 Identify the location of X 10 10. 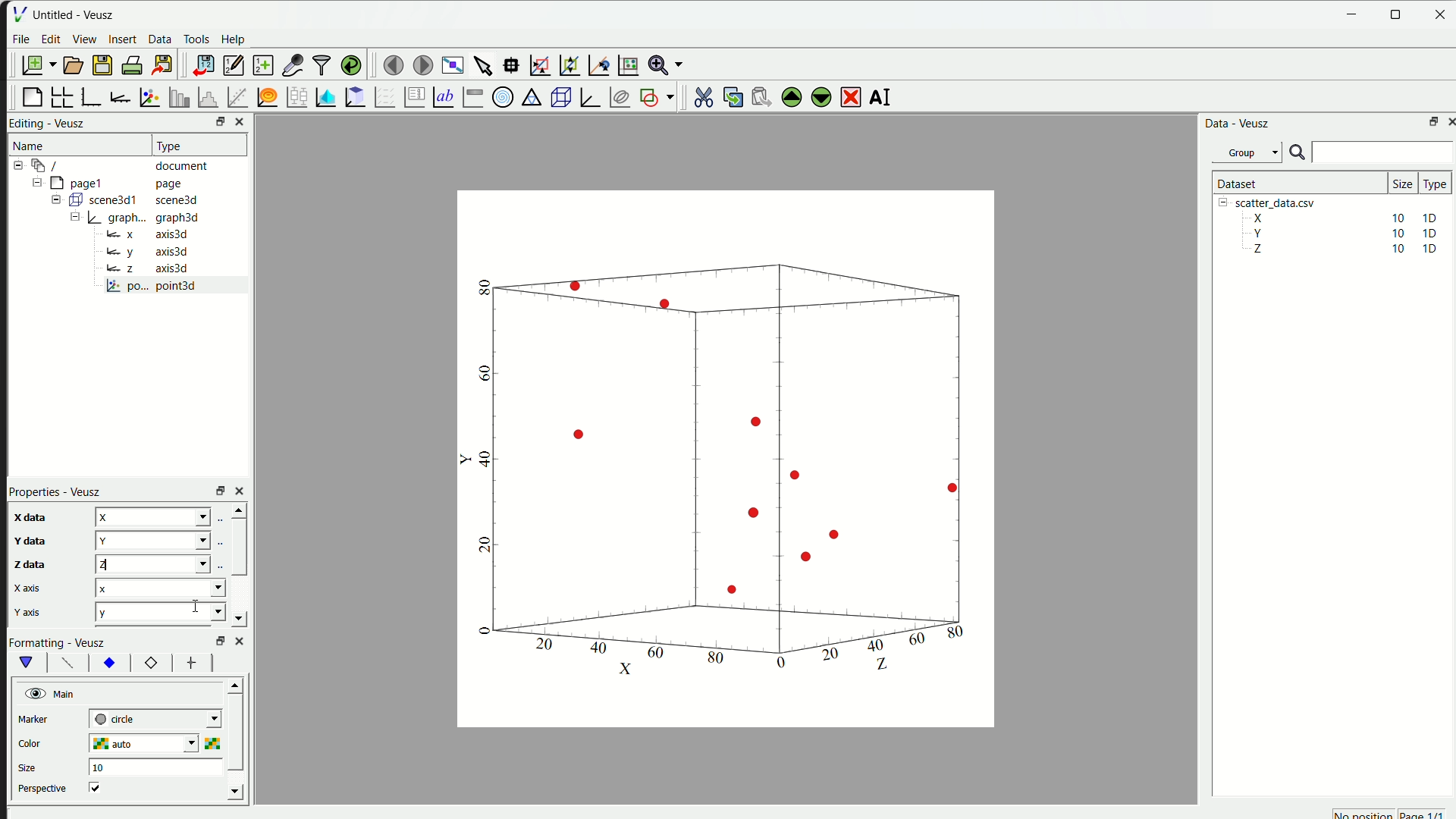
(1339, 217).